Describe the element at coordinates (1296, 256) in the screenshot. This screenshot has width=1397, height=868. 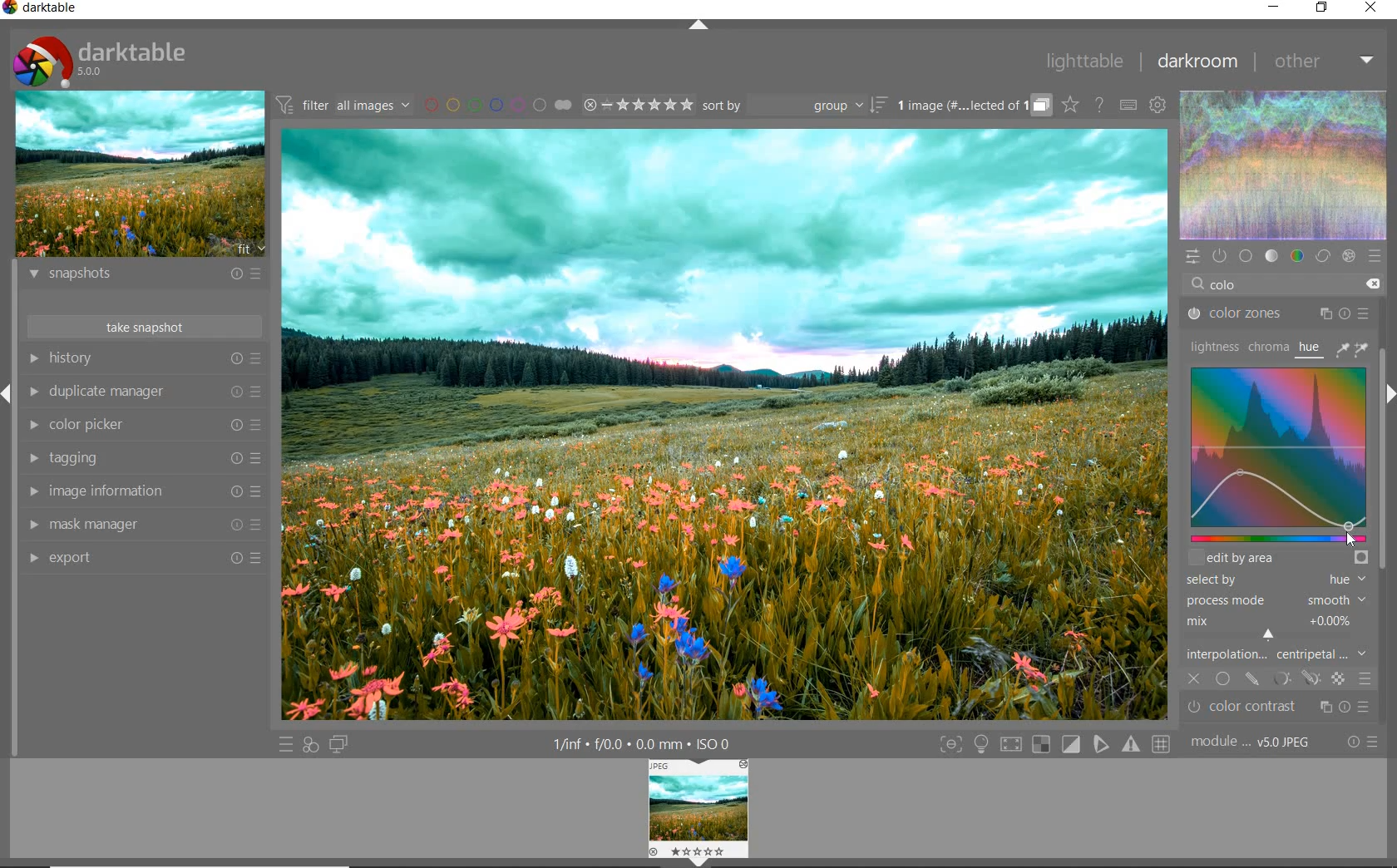
I see `color` at that location.